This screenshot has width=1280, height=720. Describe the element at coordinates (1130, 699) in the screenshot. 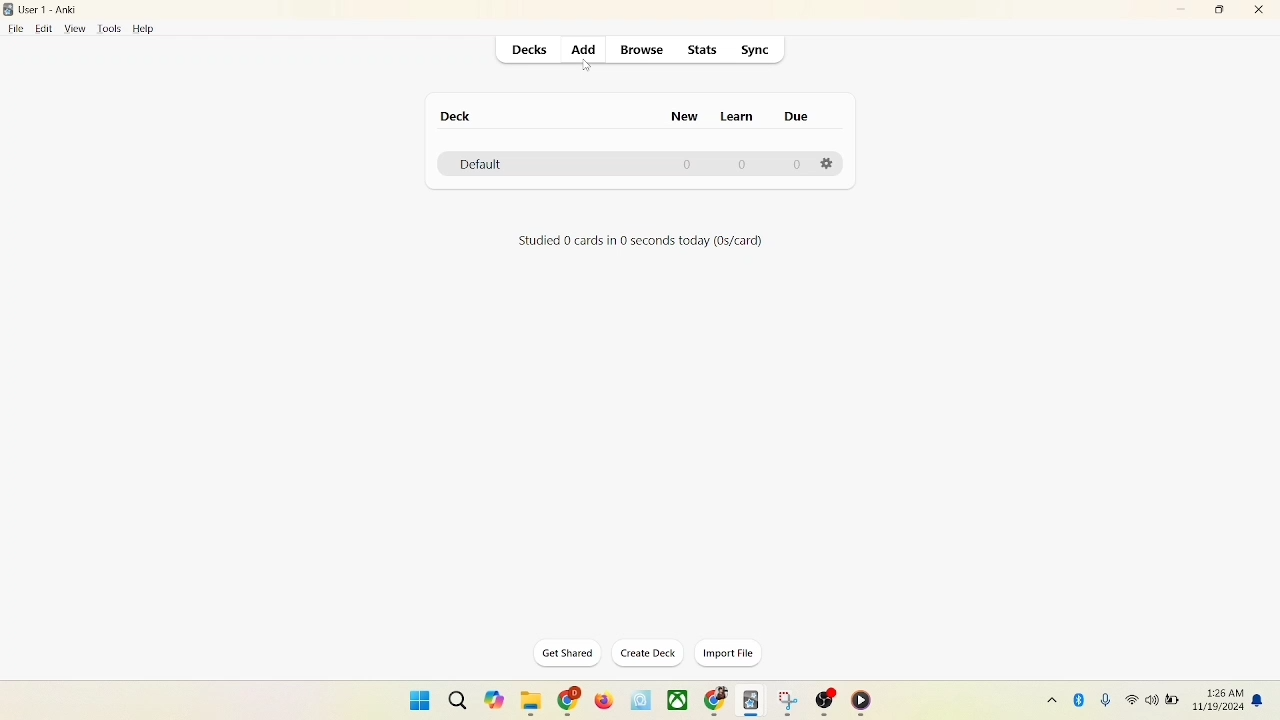

I see `wifi` at that location.